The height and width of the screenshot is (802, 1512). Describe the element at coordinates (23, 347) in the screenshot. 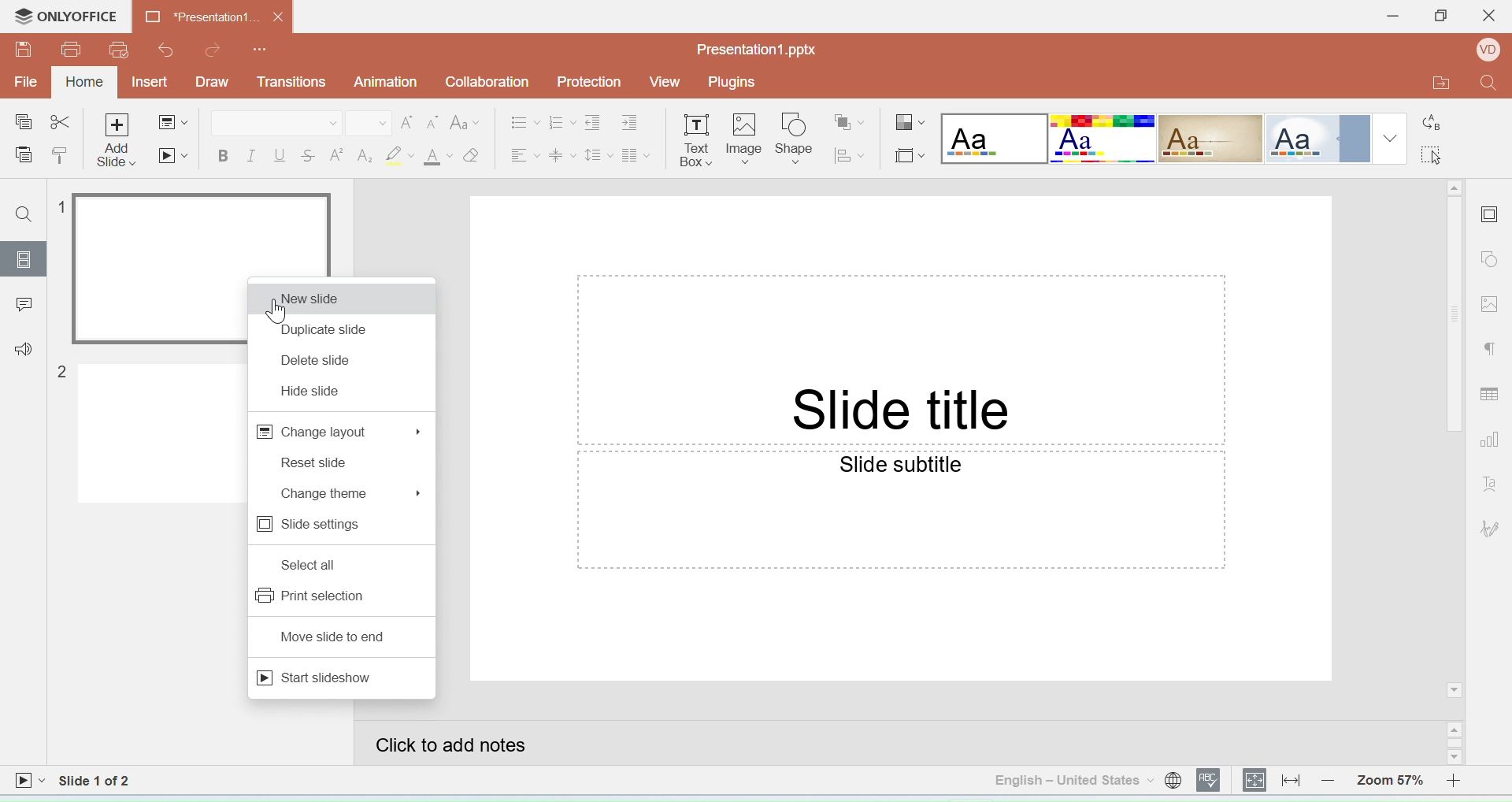

I see `Feedback & support` at that location.